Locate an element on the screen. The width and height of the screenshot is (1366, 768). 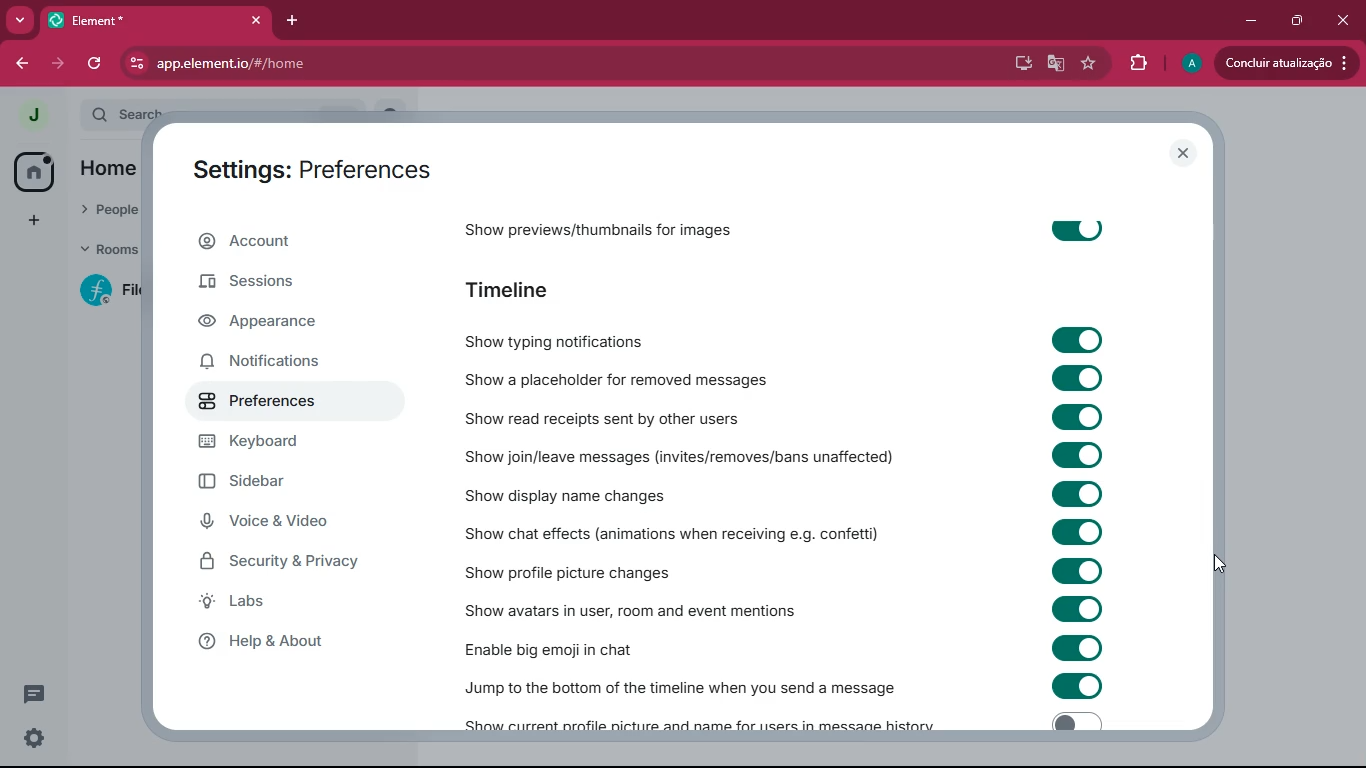
show read receipts sent by other users is located at coordinates (610, 416).